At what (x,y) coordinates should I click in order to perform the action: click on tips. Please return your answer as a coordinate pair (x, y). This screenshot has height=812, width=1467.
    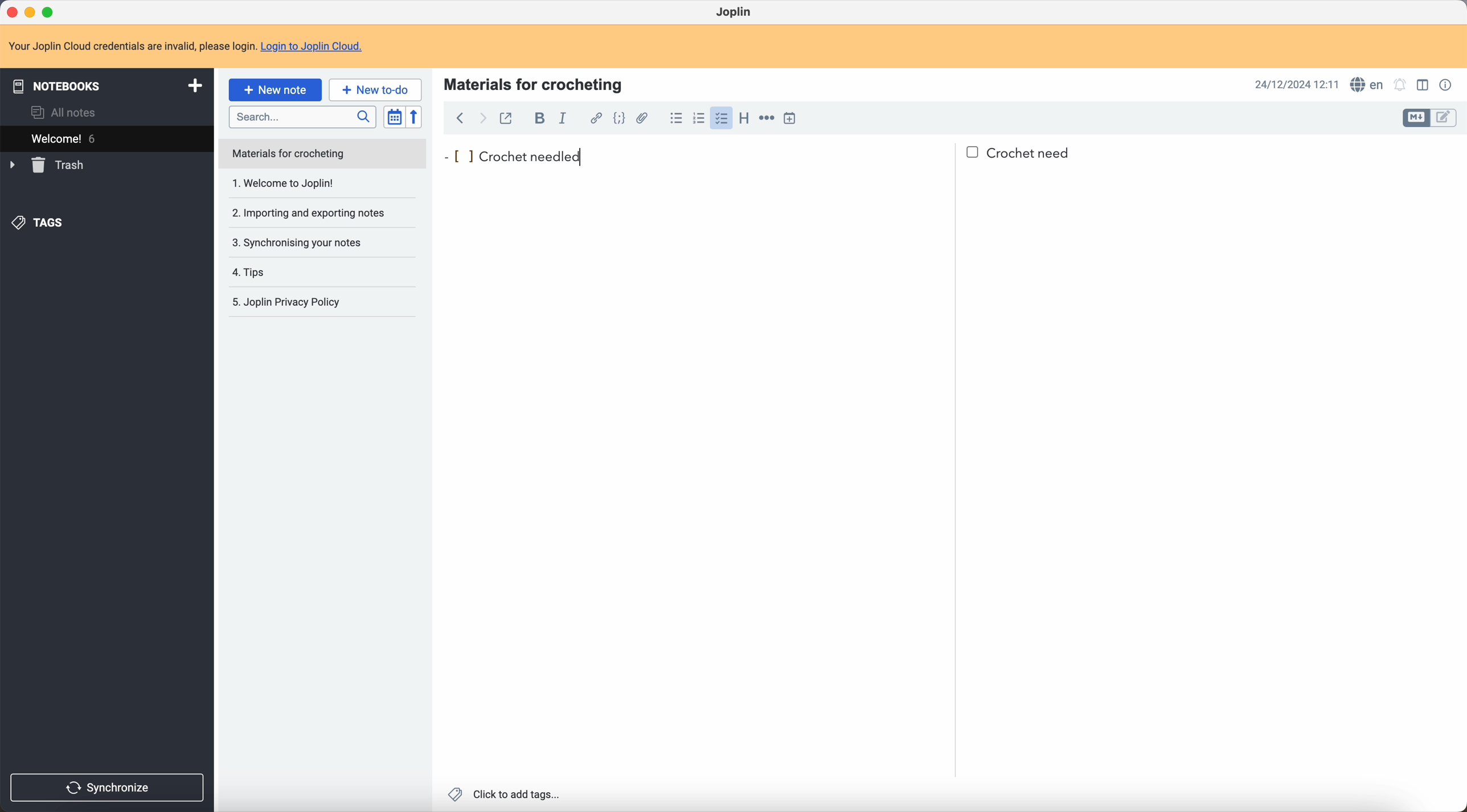
    Looking at the image, I should click on (301, 272).